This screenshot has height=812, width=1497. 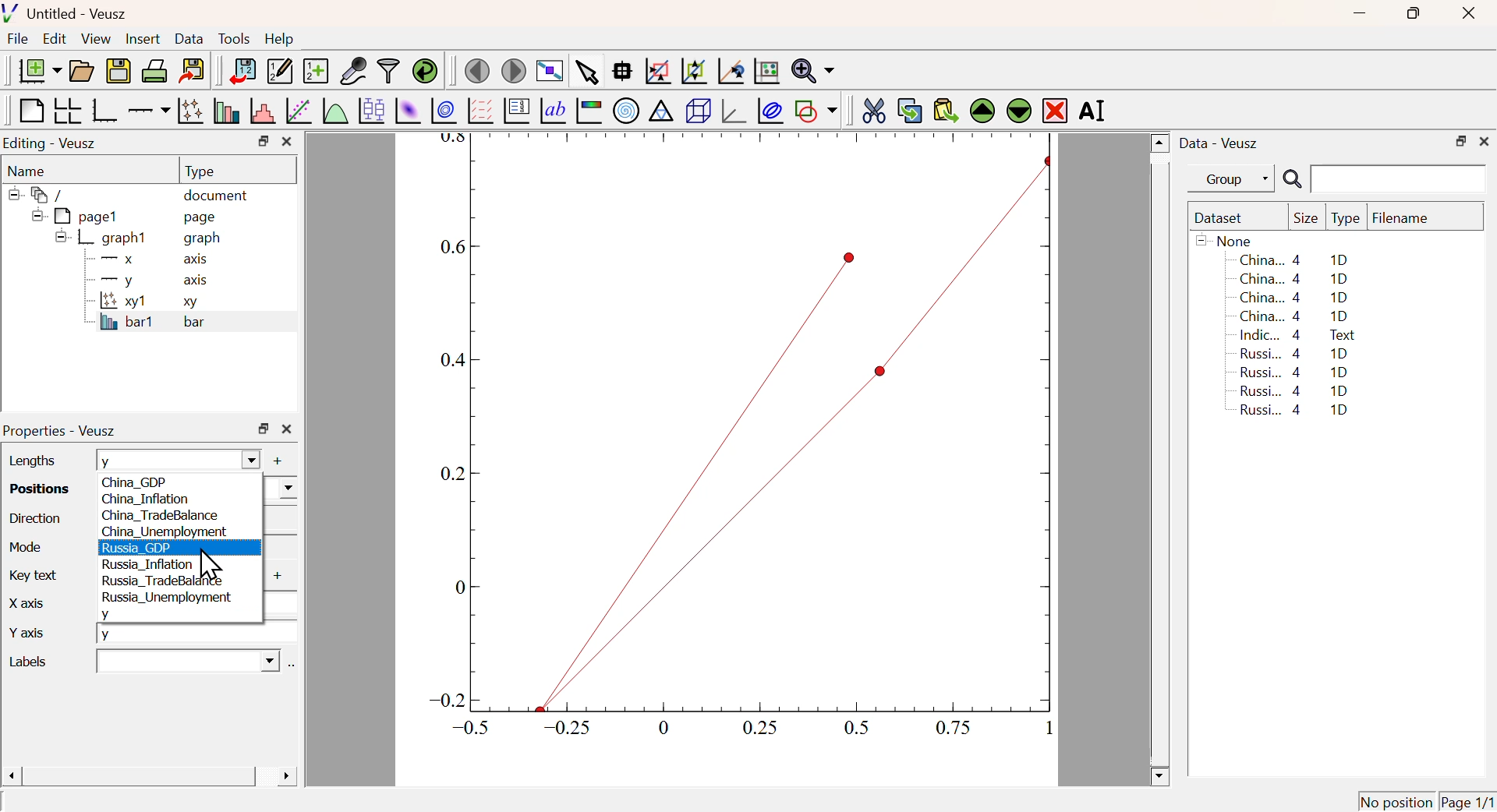 I want to click on Plot a function, so click(x=333, y=111).